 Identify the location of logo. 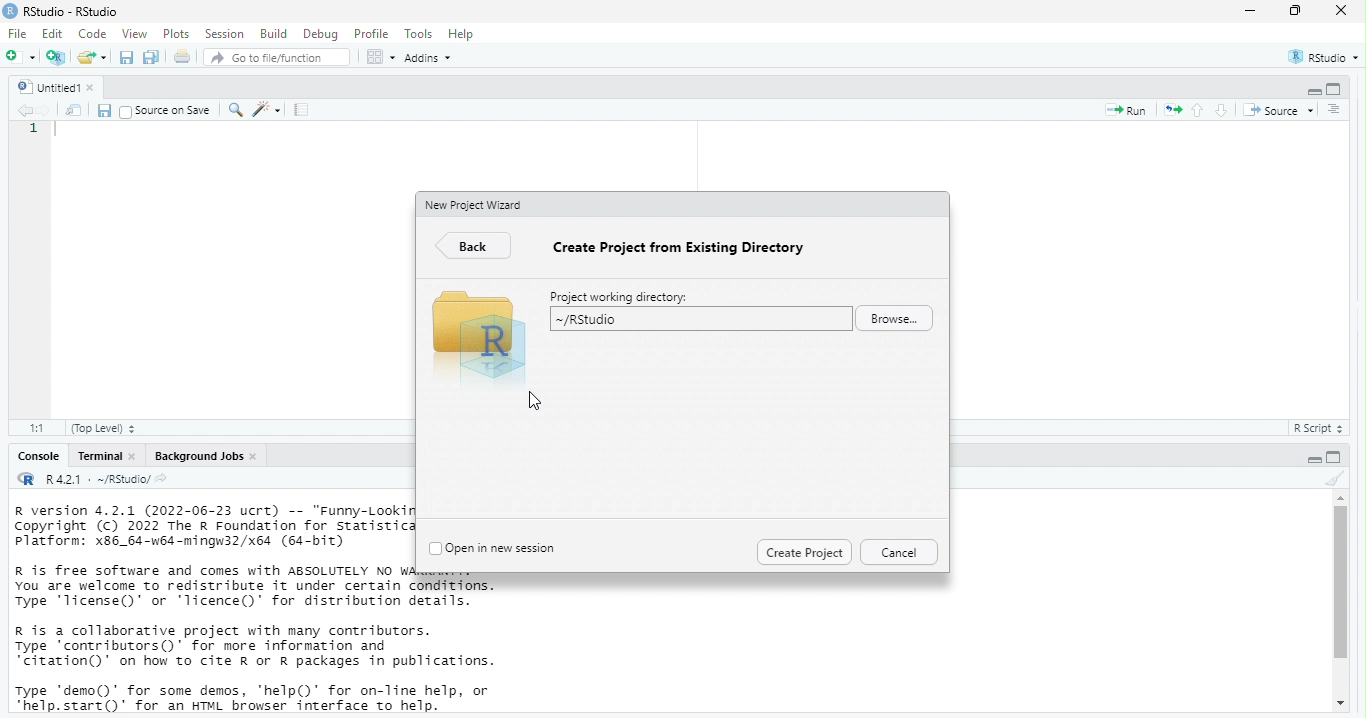
(11, 13).